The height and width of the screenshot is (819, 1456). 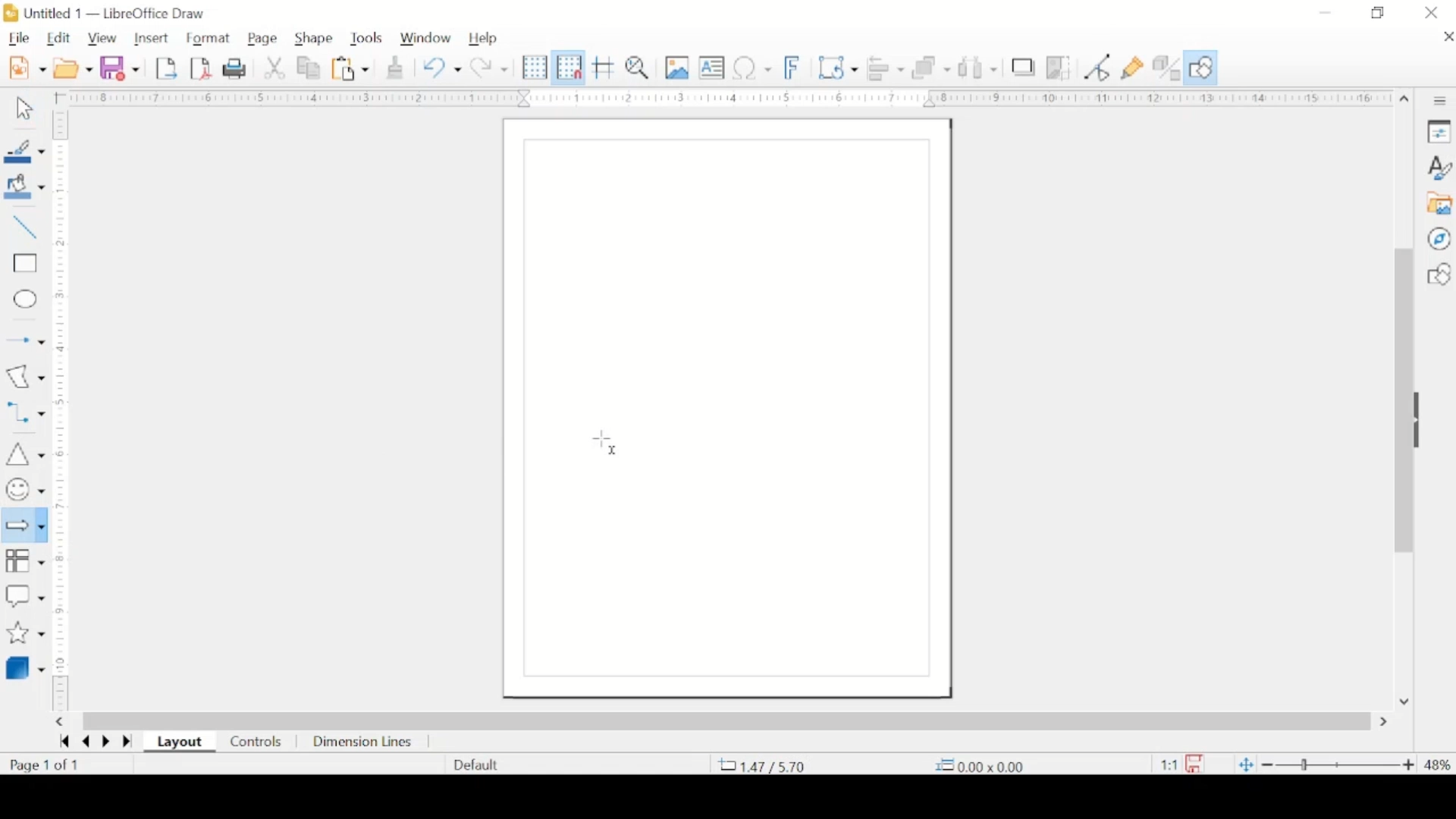 I want to click on open, so click(x=73, y=67).